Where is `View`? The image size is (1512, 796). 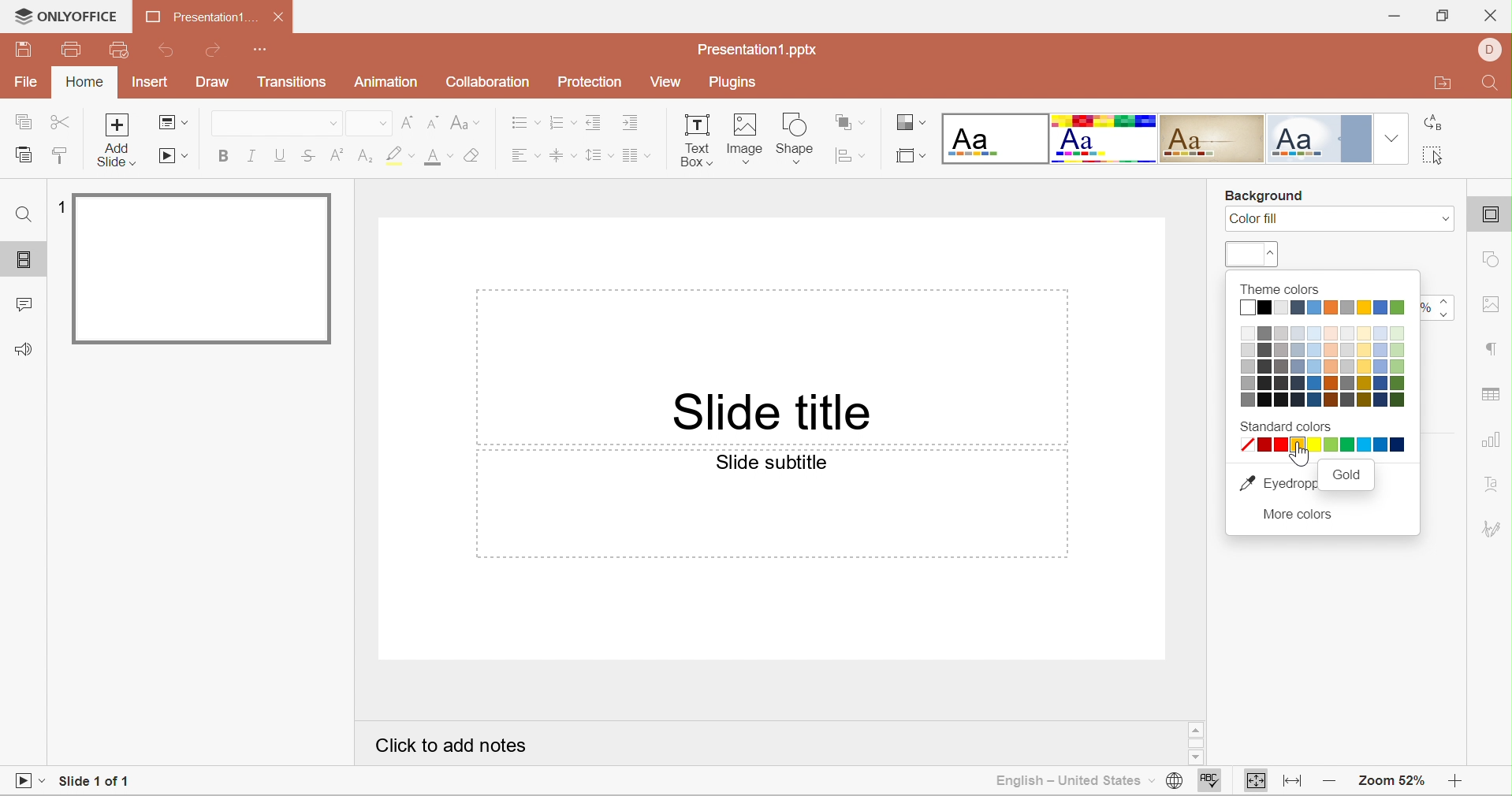
View is located at coordinates (666, 82).